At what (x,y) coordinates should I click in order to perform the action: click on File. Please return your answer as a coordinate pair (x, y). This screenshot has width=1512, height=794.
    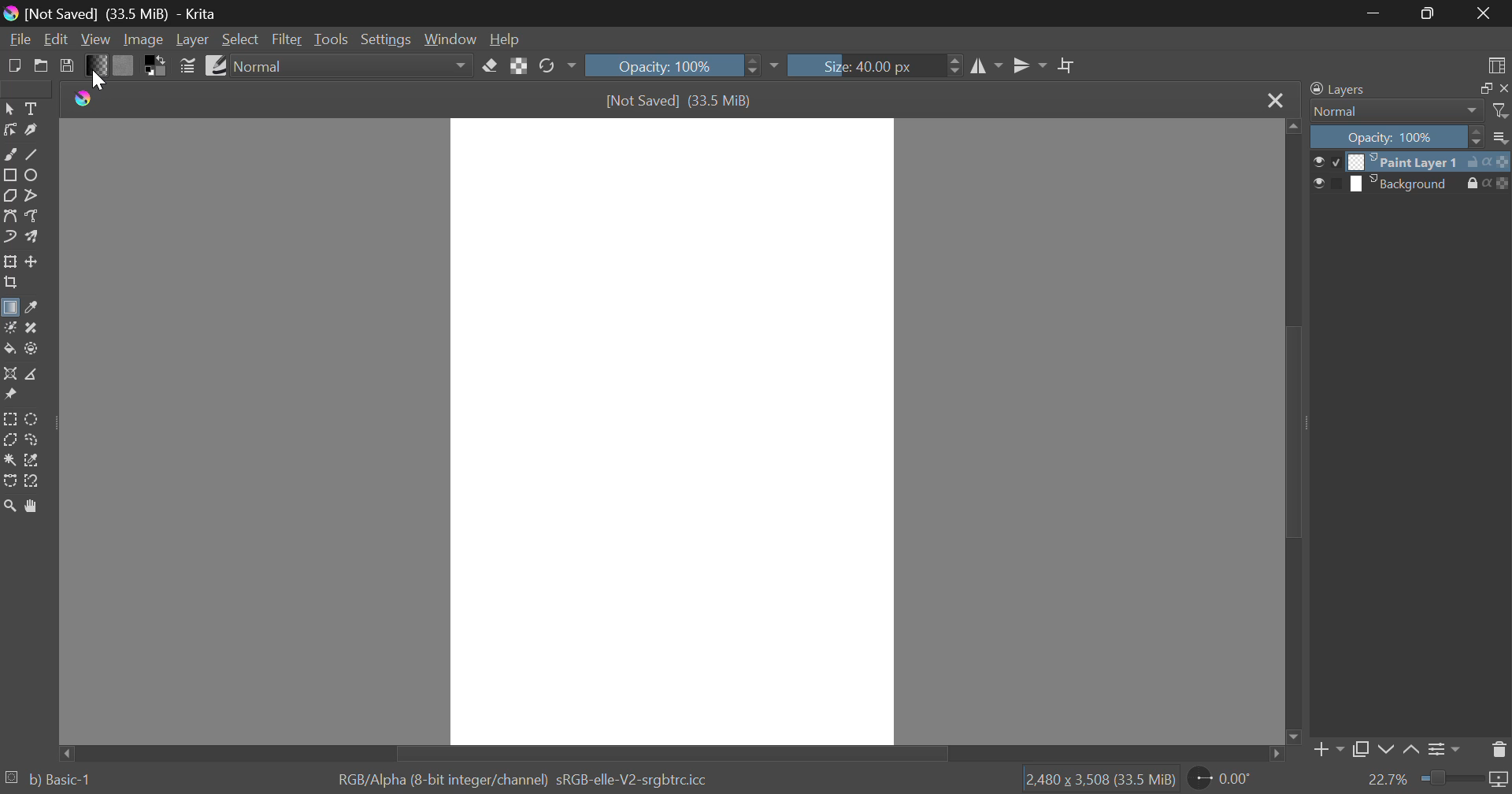
    Looking at the image, I should click on (18, 38).